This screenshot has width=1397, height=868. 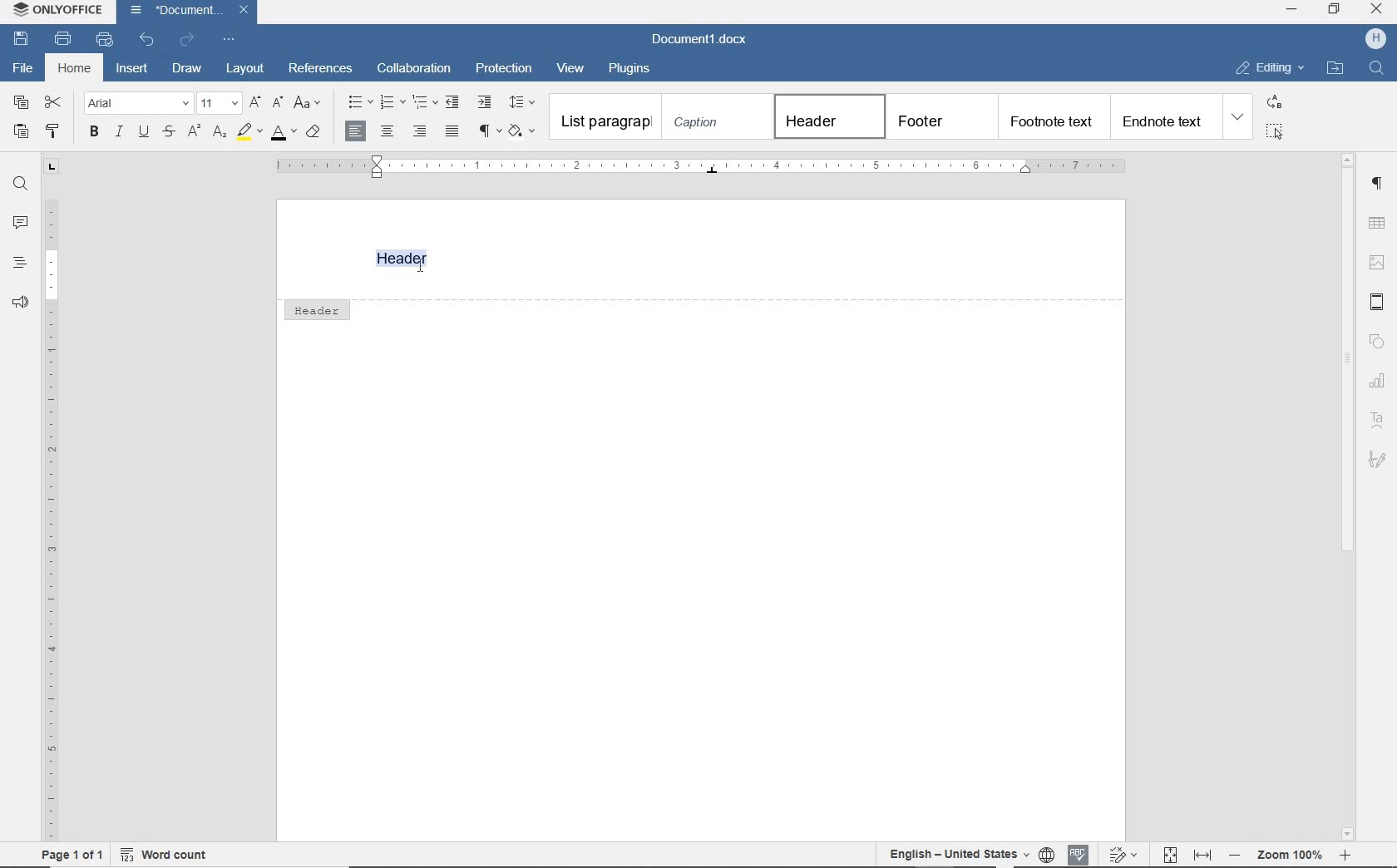 What do you see at coordinates (54, 103) in the screenshot?
I see `cut` at bounding box center [54, 103].